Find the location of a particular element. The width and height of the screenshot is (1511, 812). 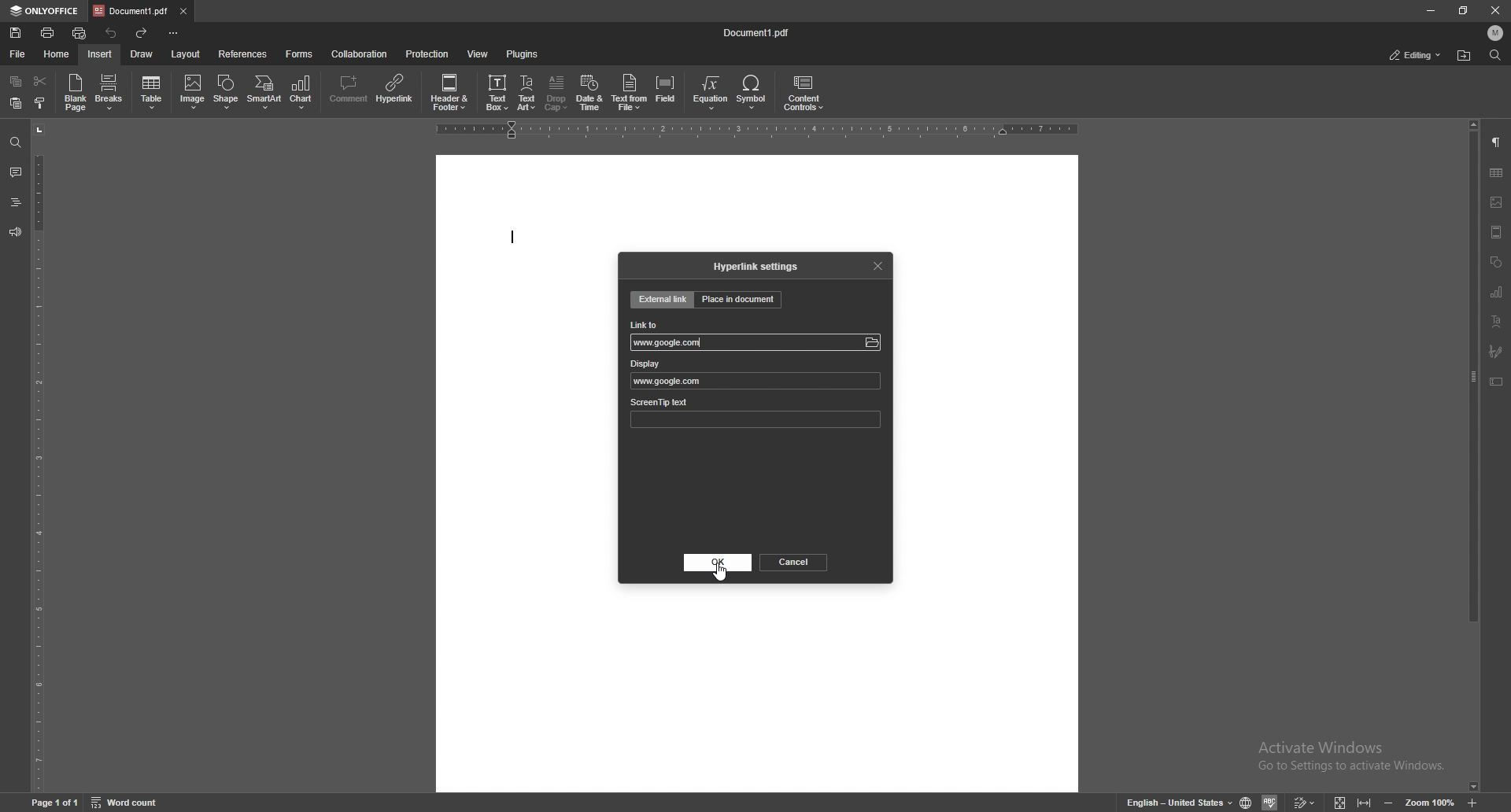

copy is located at coordinates (17, 80).